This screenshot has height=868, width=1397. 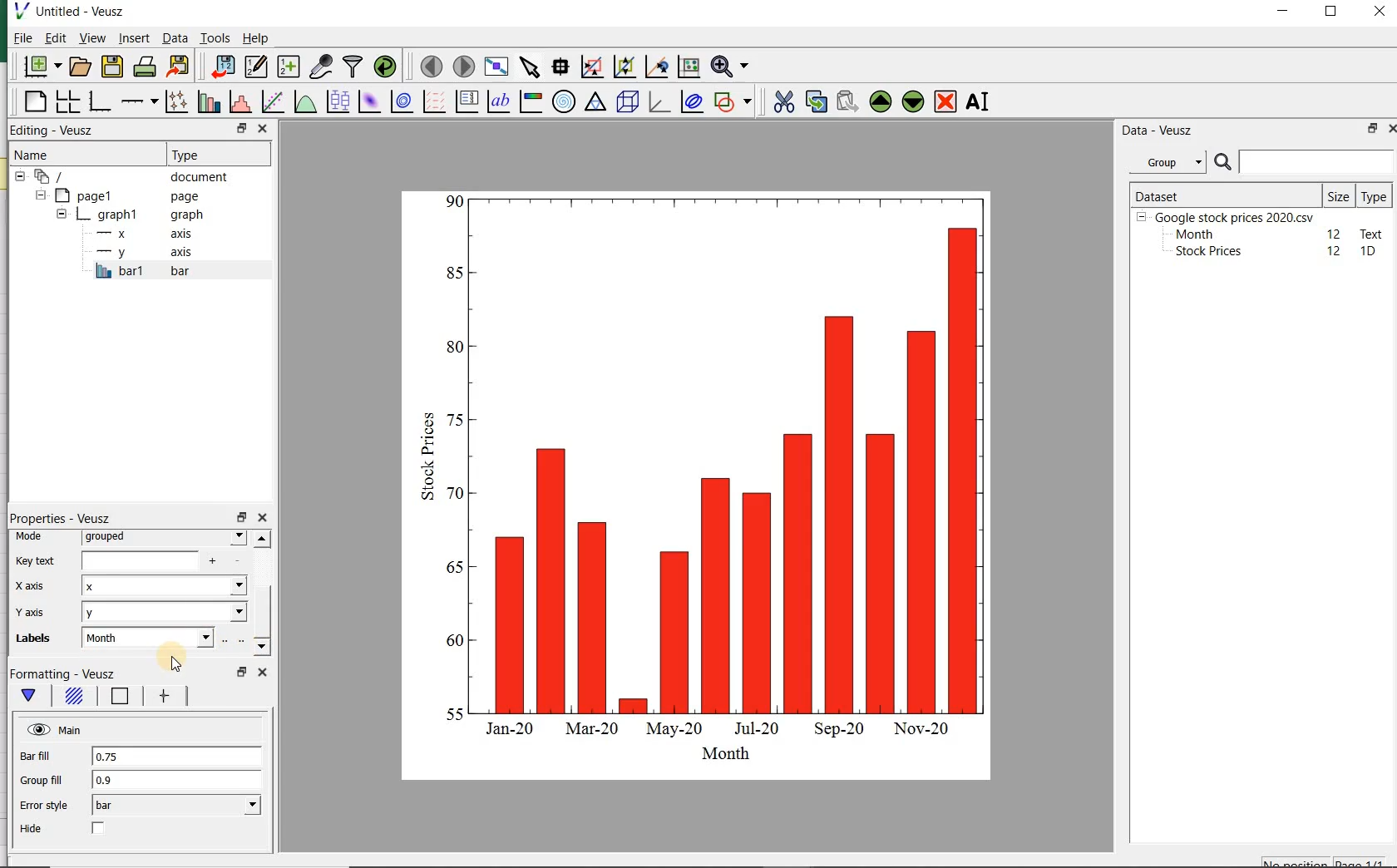 What do you see at coordinates (1334, 13) in the screenshot?
I see `maximize` at bounding box center [1334, 13].